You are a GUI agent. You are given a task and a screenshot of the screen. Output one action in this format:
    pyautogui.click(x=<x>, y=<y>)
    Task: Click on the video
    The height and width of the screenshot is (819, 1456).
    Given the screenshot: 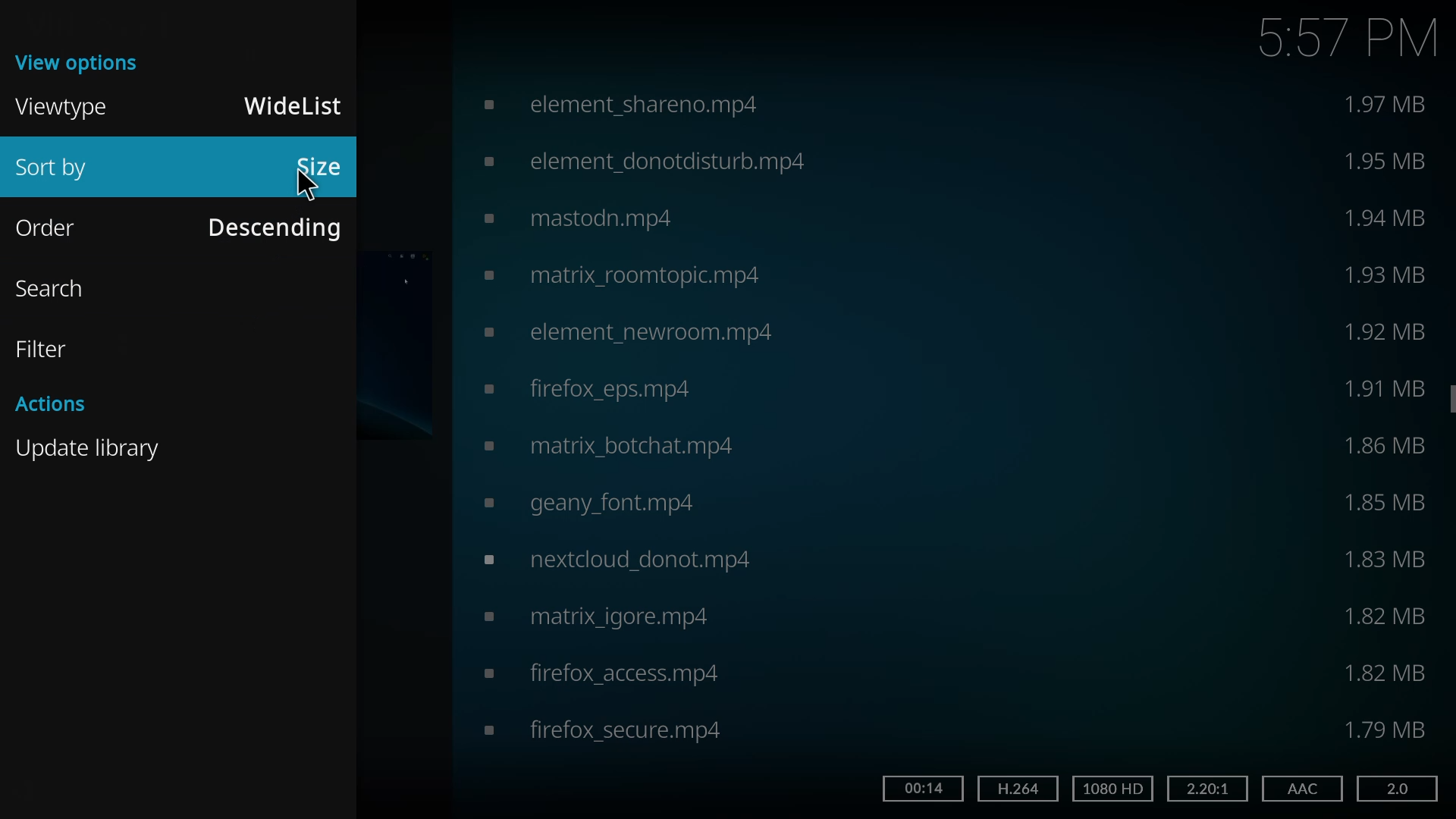 What is the action you would take?
    pyautogui.click(x=604, y=616)
    